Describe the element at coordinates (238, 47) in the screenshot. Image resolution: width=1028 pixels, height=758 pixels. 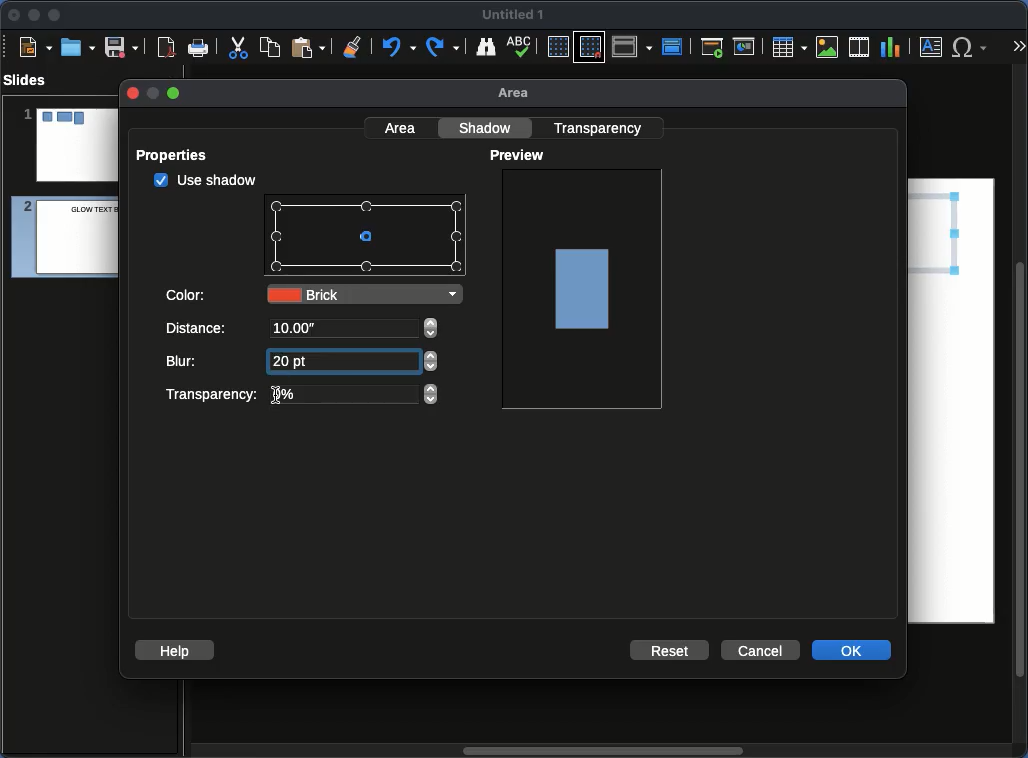
I see `Cut` at that location.